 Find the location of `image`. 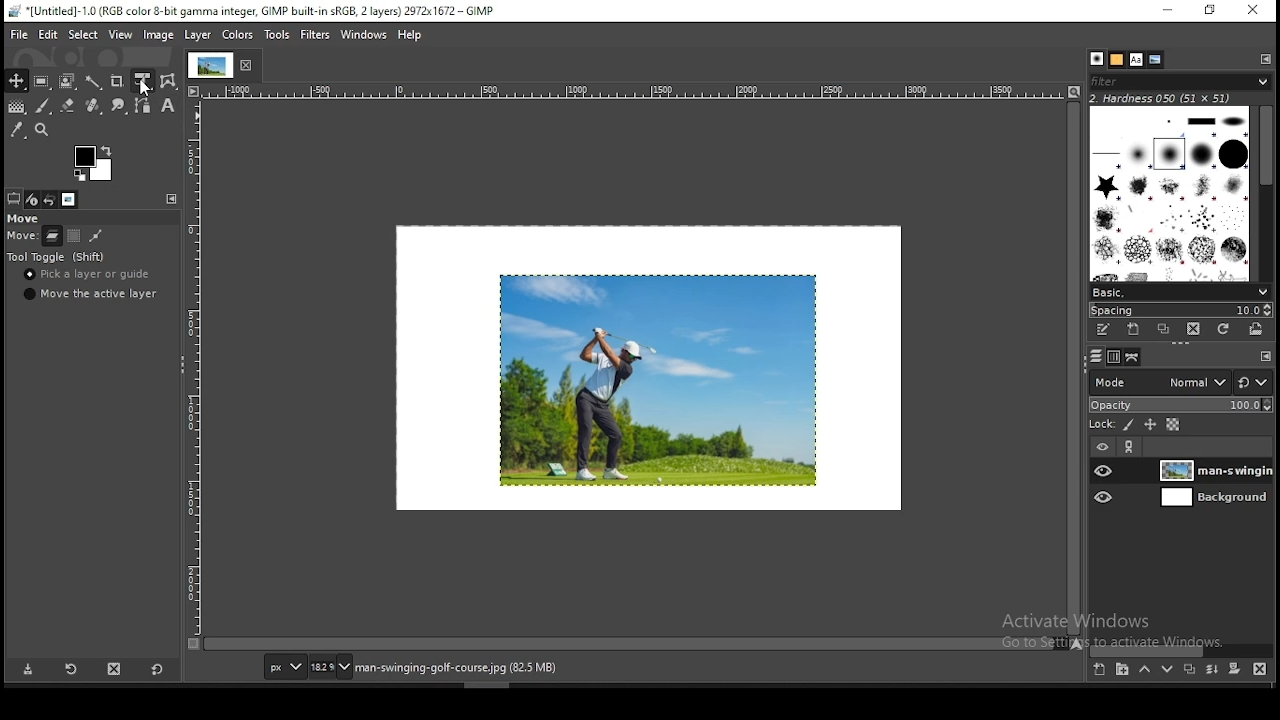

image is located at coordinates (158, 35).